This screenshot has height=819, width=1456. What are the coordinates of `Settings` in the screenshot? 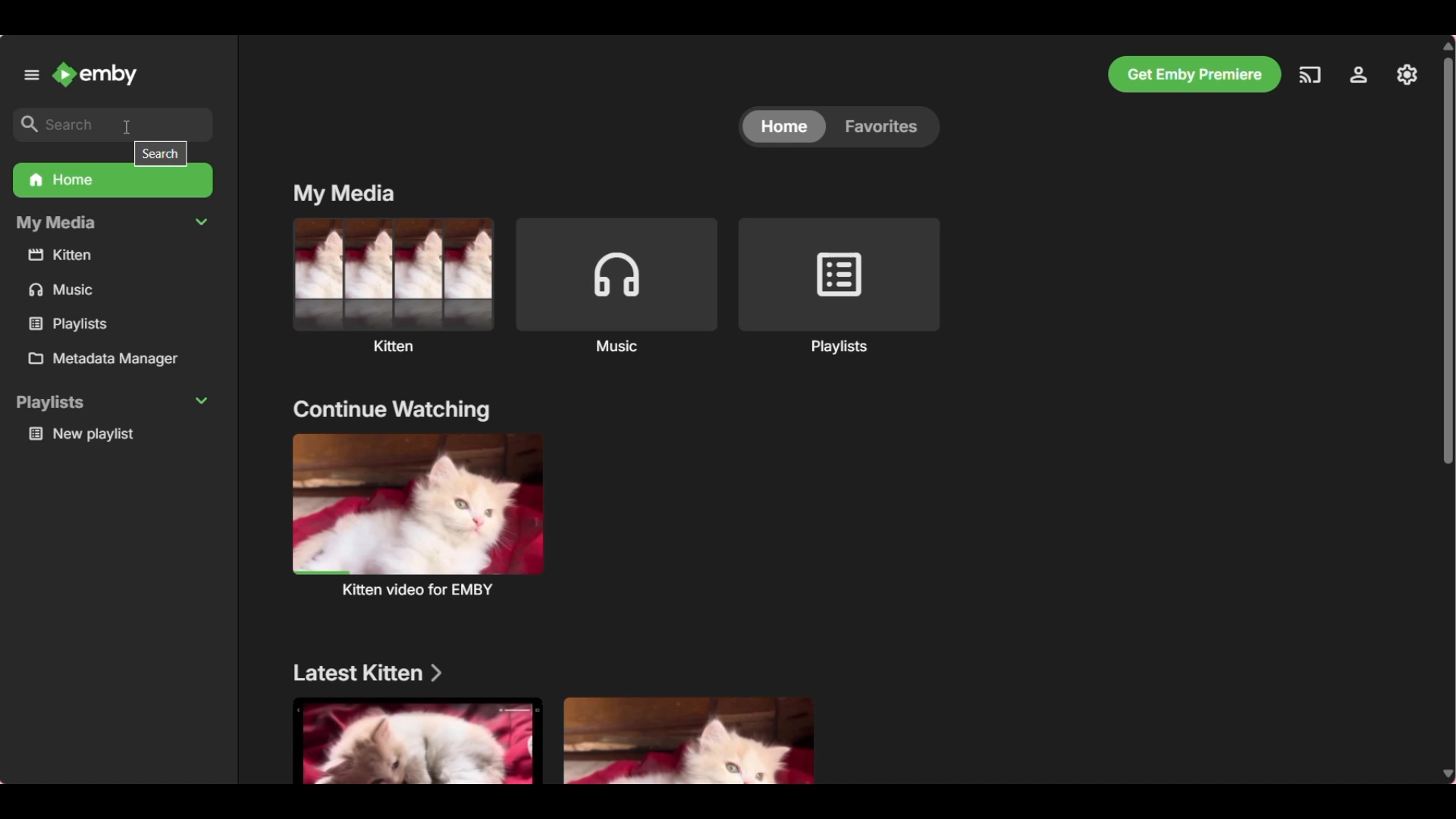 It's located at (1409, 76).